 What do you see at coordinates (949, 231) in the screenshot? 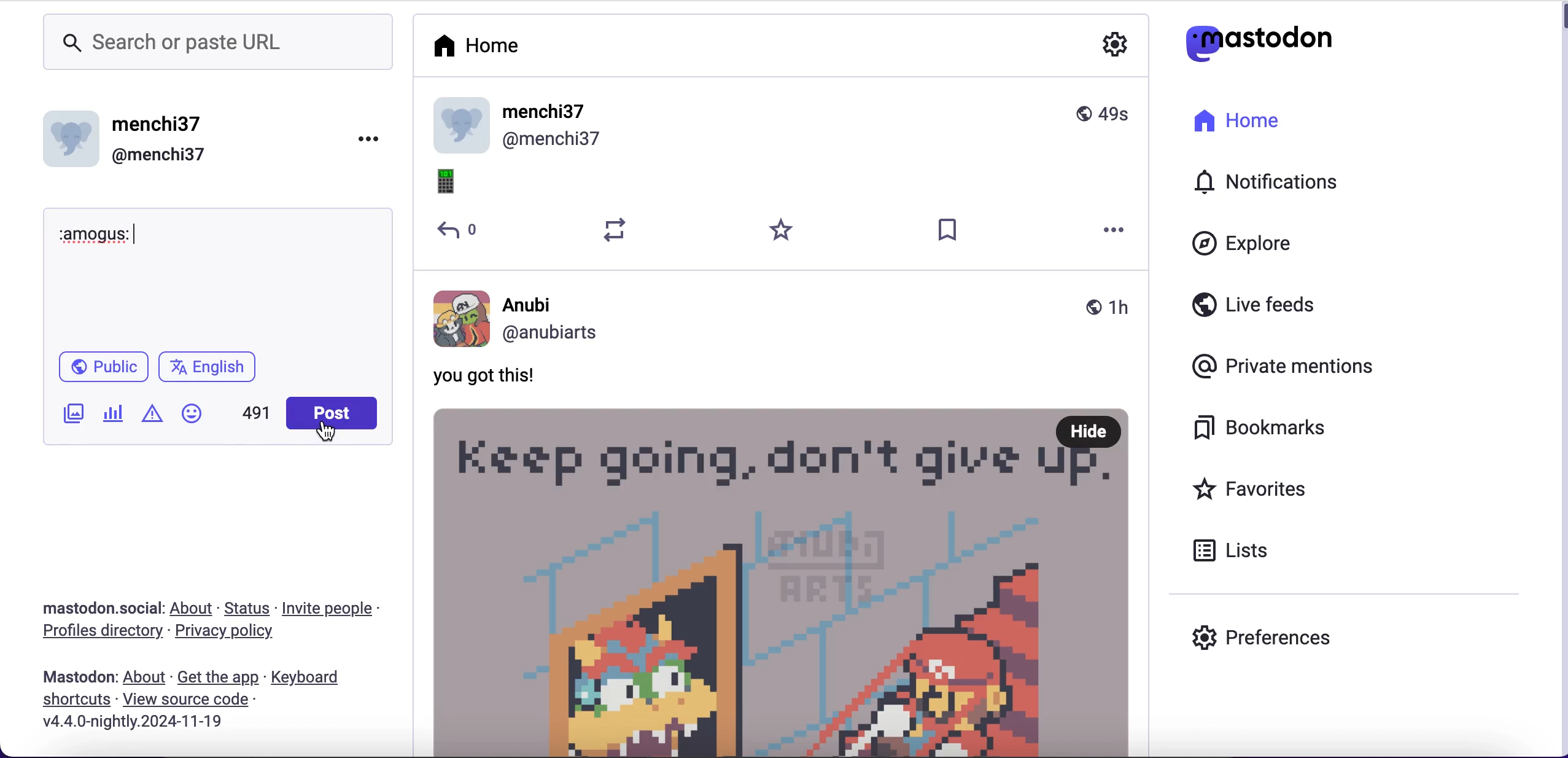
I see `save` at bounding box center [949, 231].